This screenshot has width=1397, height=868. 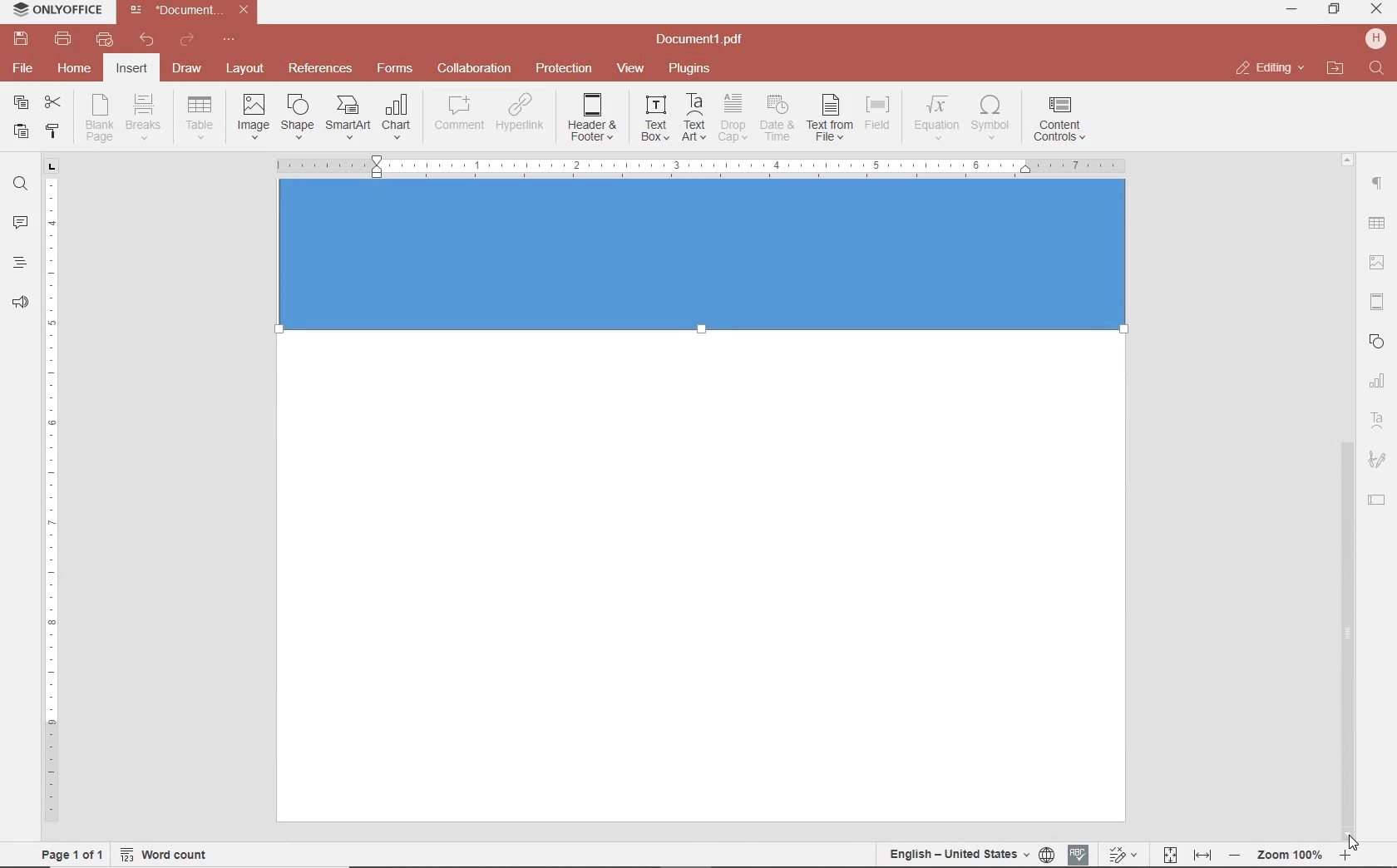 I want to click on EDIT HEADER OR FOOTER, so click(x=594, y=118).